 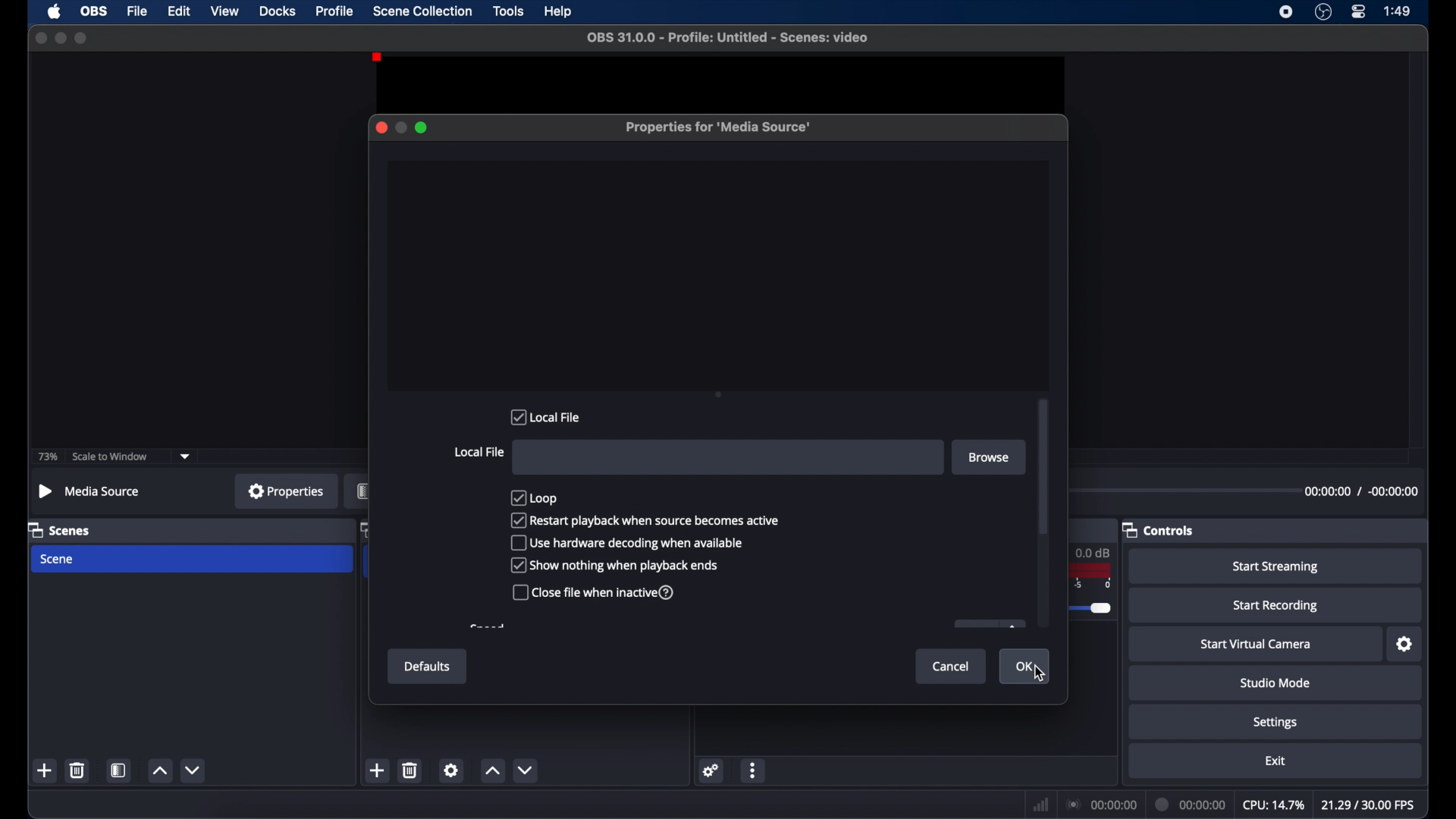 I want to click on ok, so click(x=1027, y=667).